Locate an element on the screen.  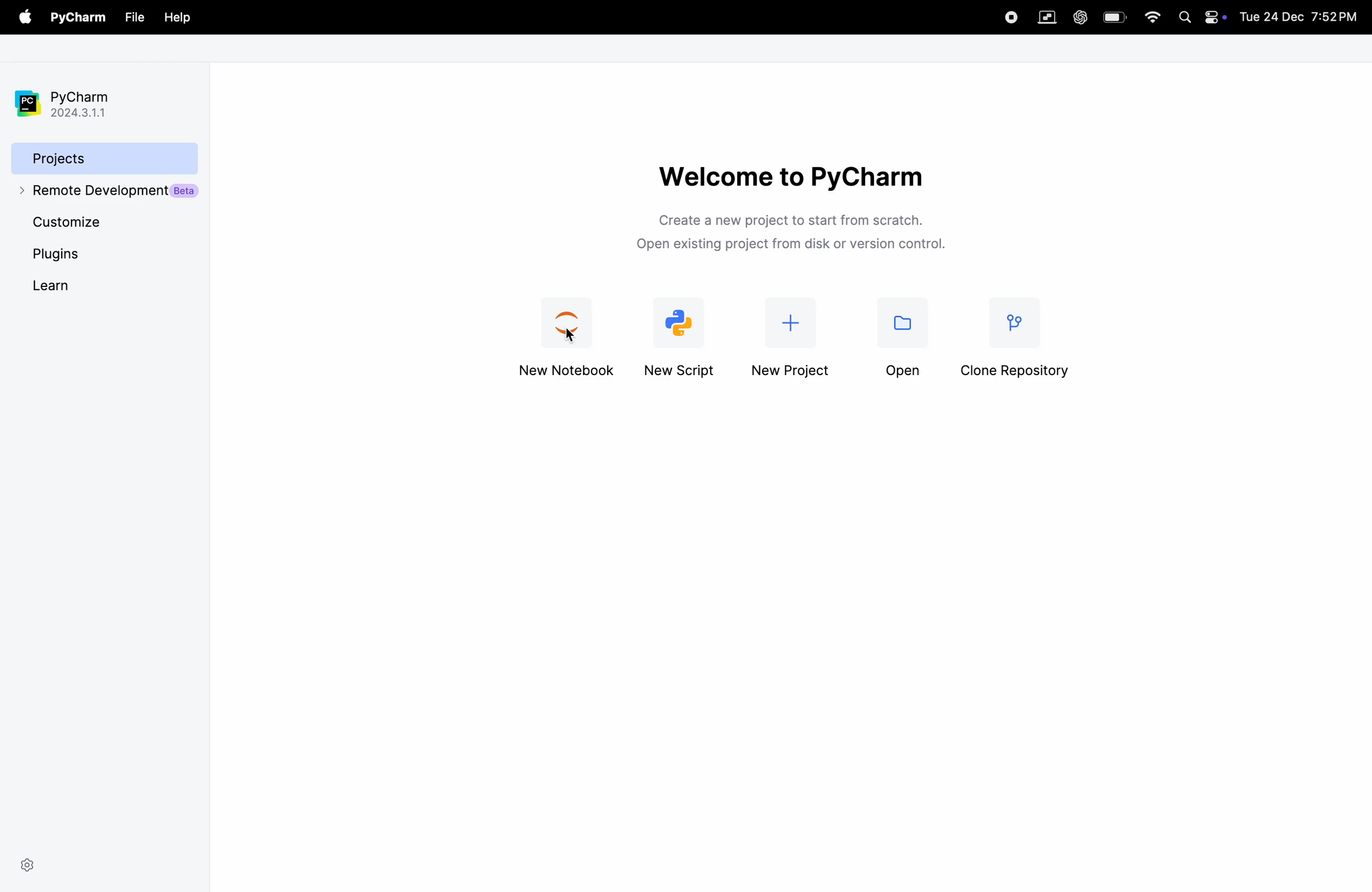
welcome to pycharm is located at coordinates (784, 175).